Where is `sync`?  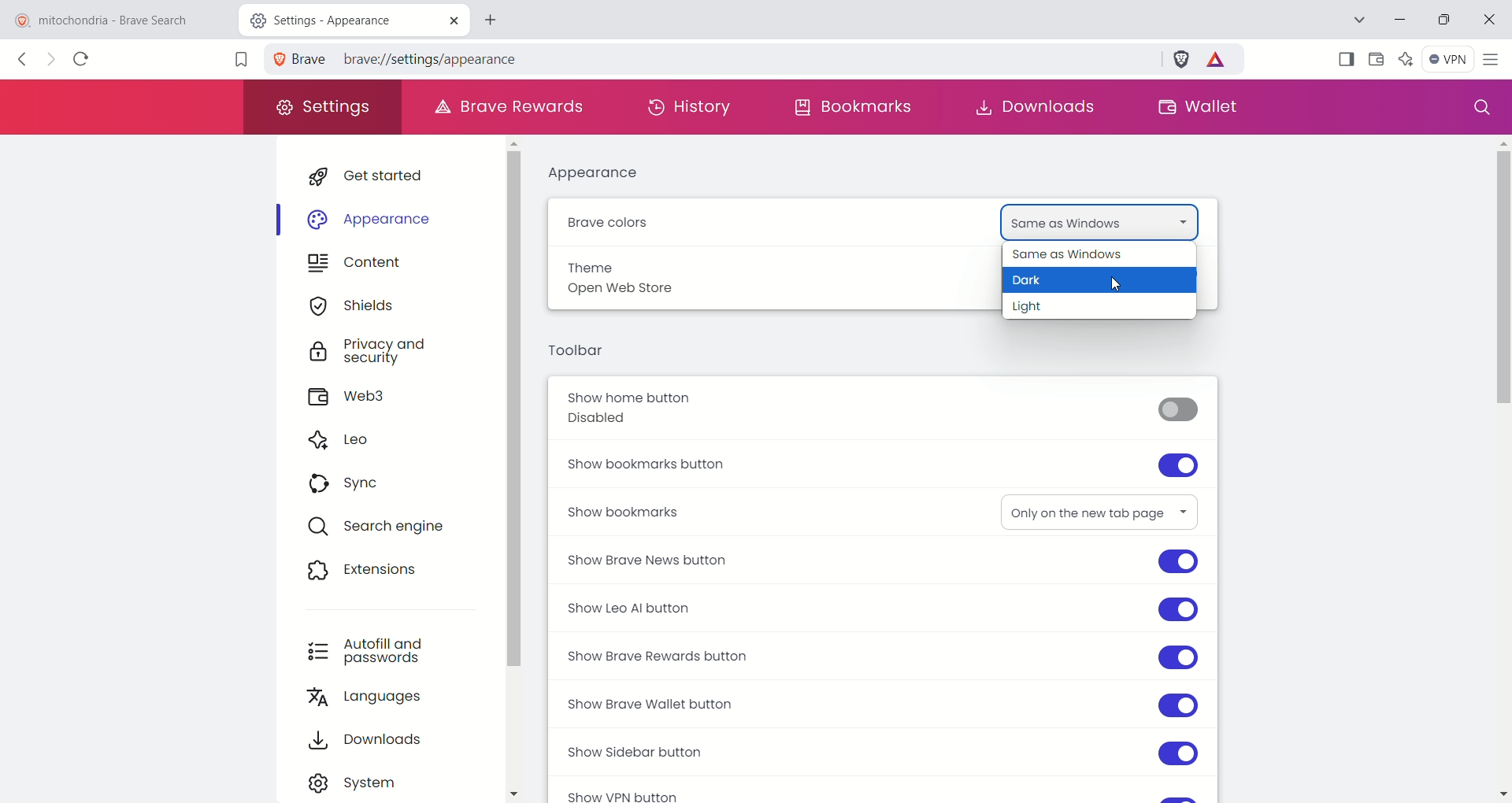
sync is located at coordinates (354, 486).